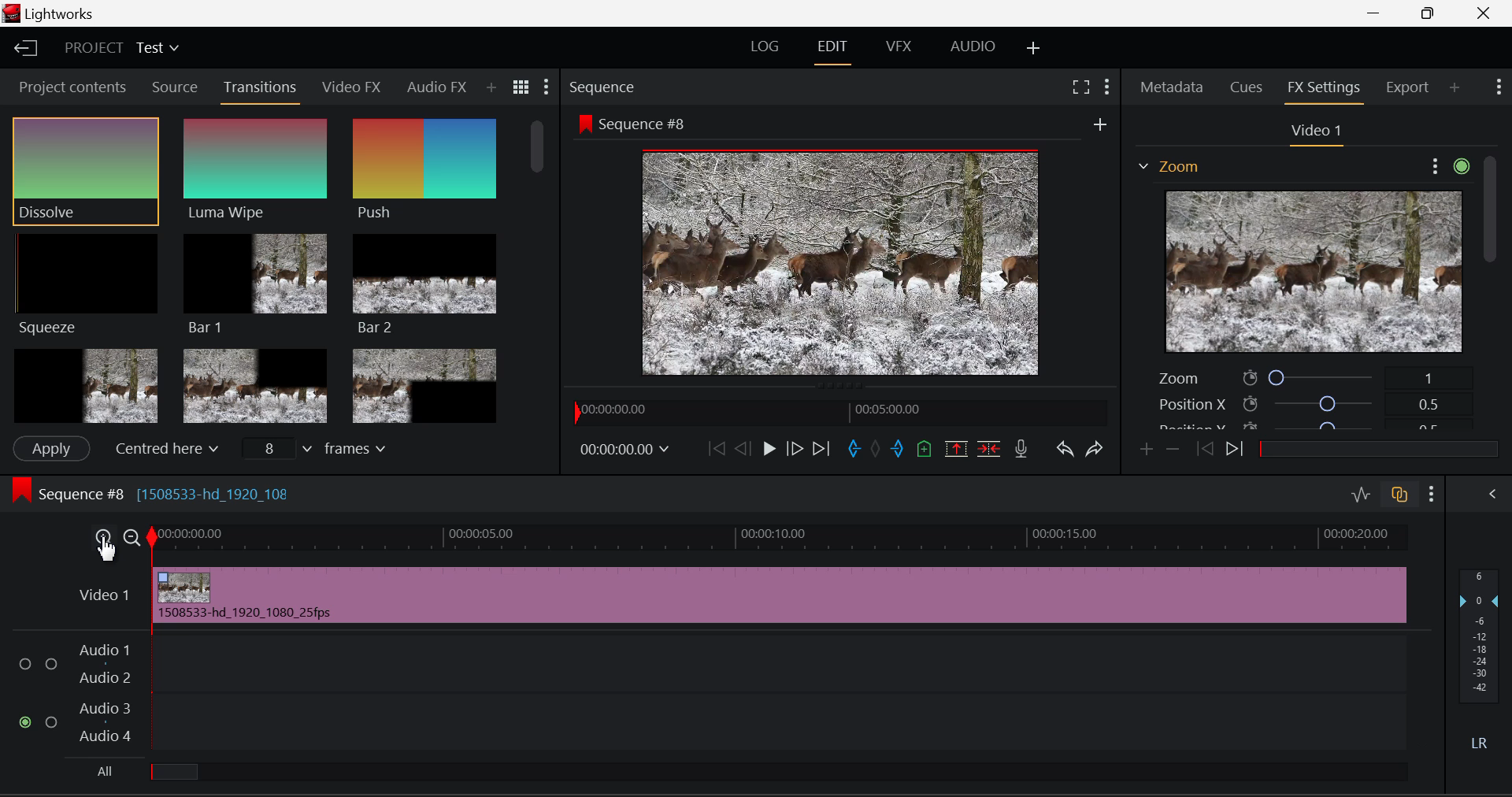  I want to click on Centered here, so click(170, 445).